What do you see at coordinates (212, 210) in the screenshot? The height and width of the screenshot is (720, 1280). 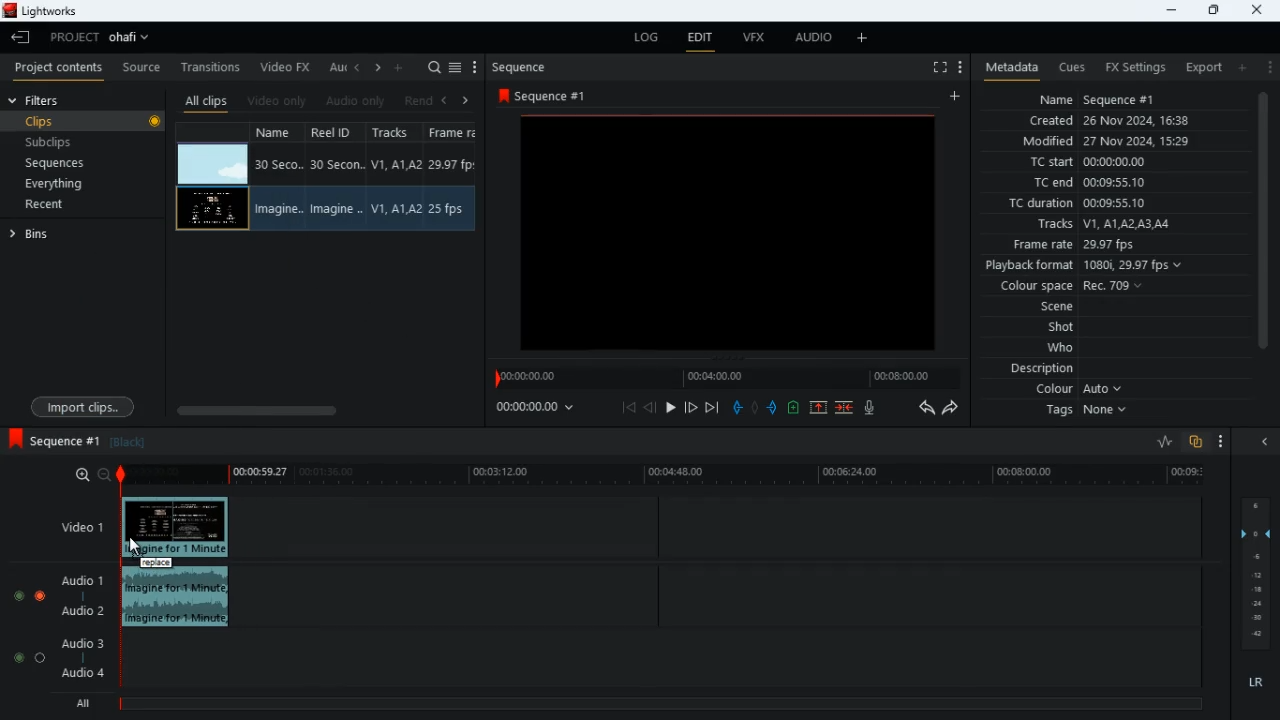 I see `image` at bounding box center [212, 210].